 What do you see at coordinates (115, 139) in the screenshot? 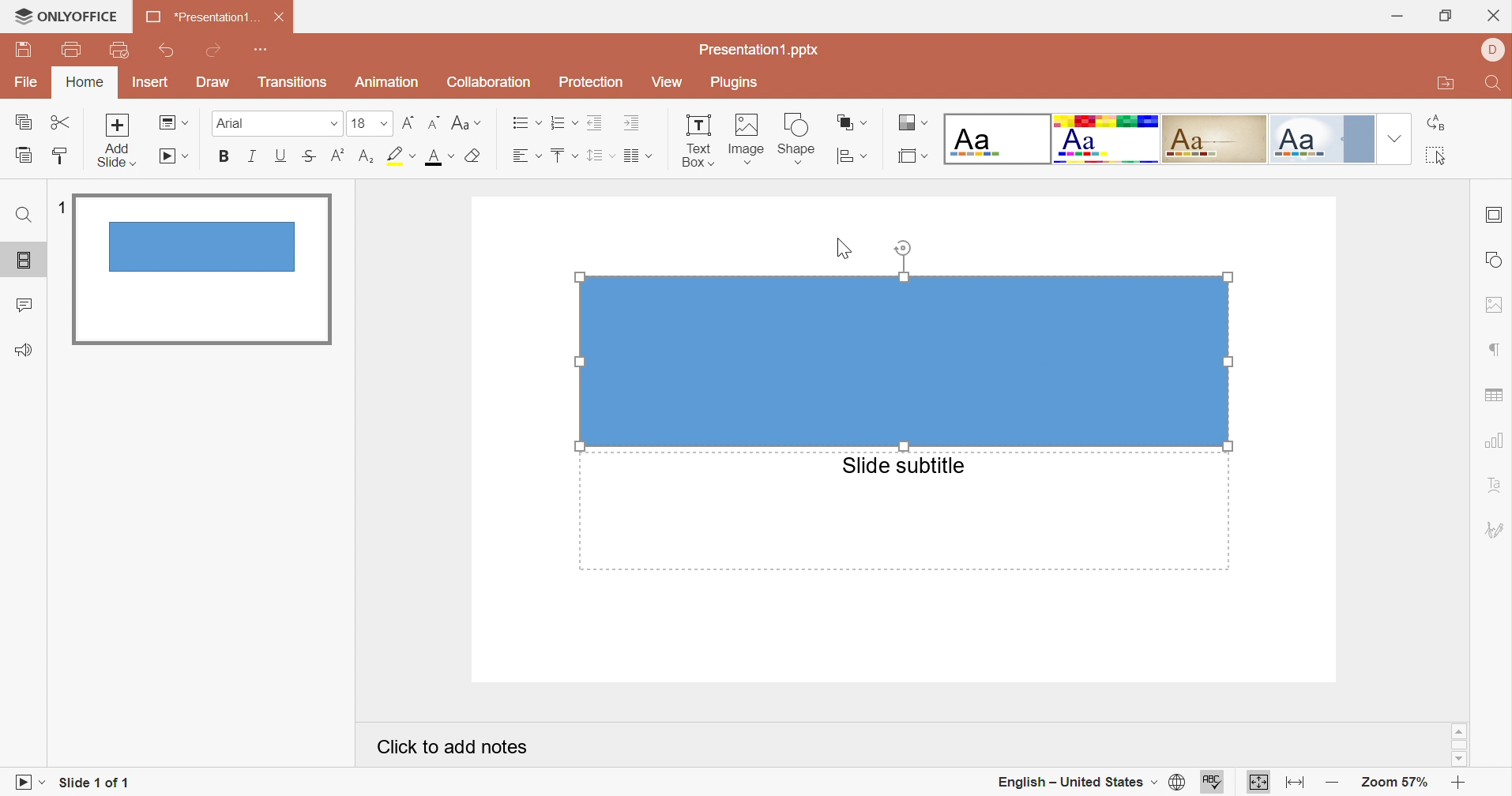
I see `Add slide` at bounding box center [115, 139].